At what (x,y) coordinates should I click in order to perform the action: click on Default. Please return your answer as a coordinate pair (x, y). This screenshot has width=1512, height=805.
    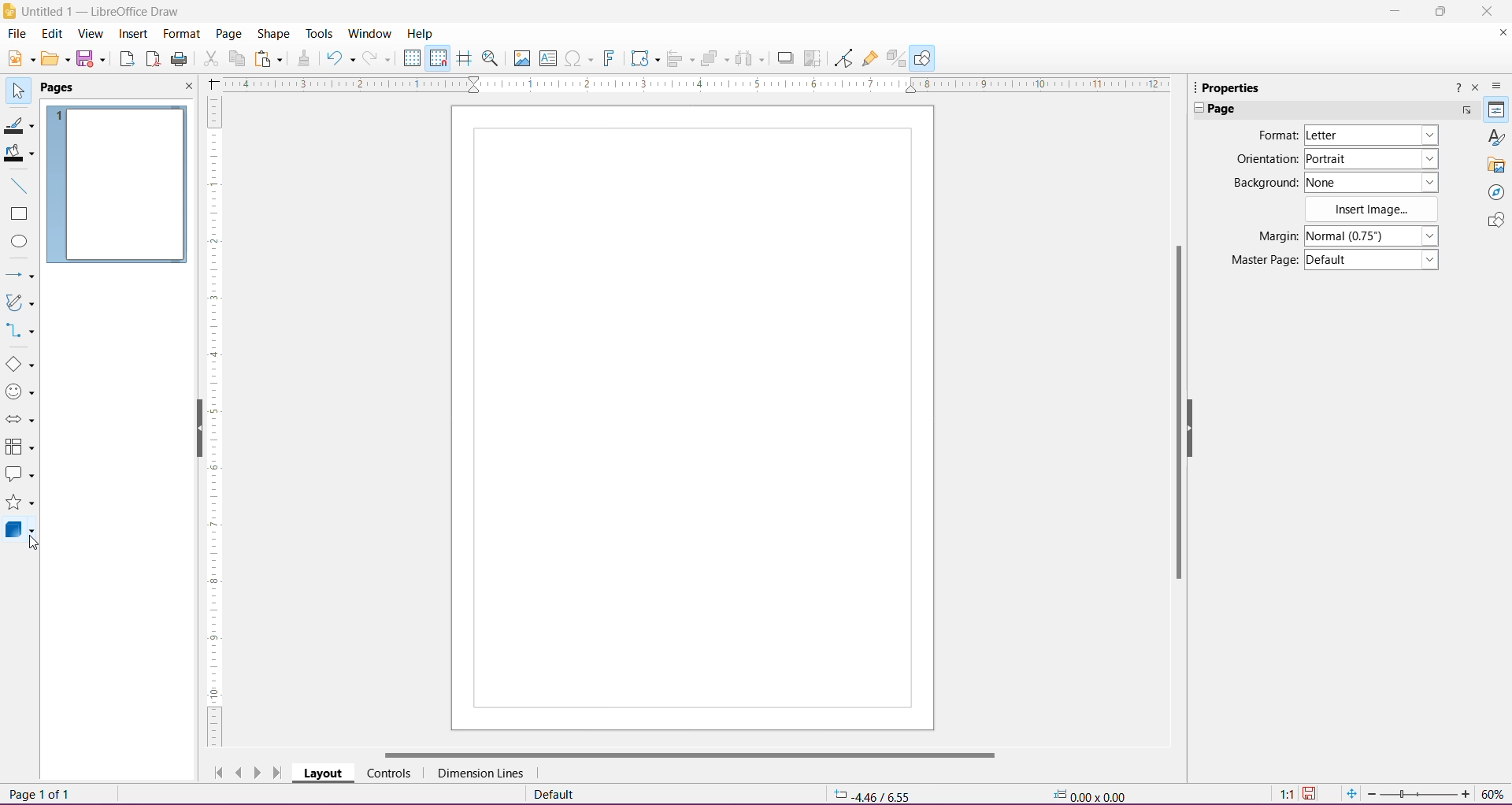
    Looking at the image, I should click on (558, 794).